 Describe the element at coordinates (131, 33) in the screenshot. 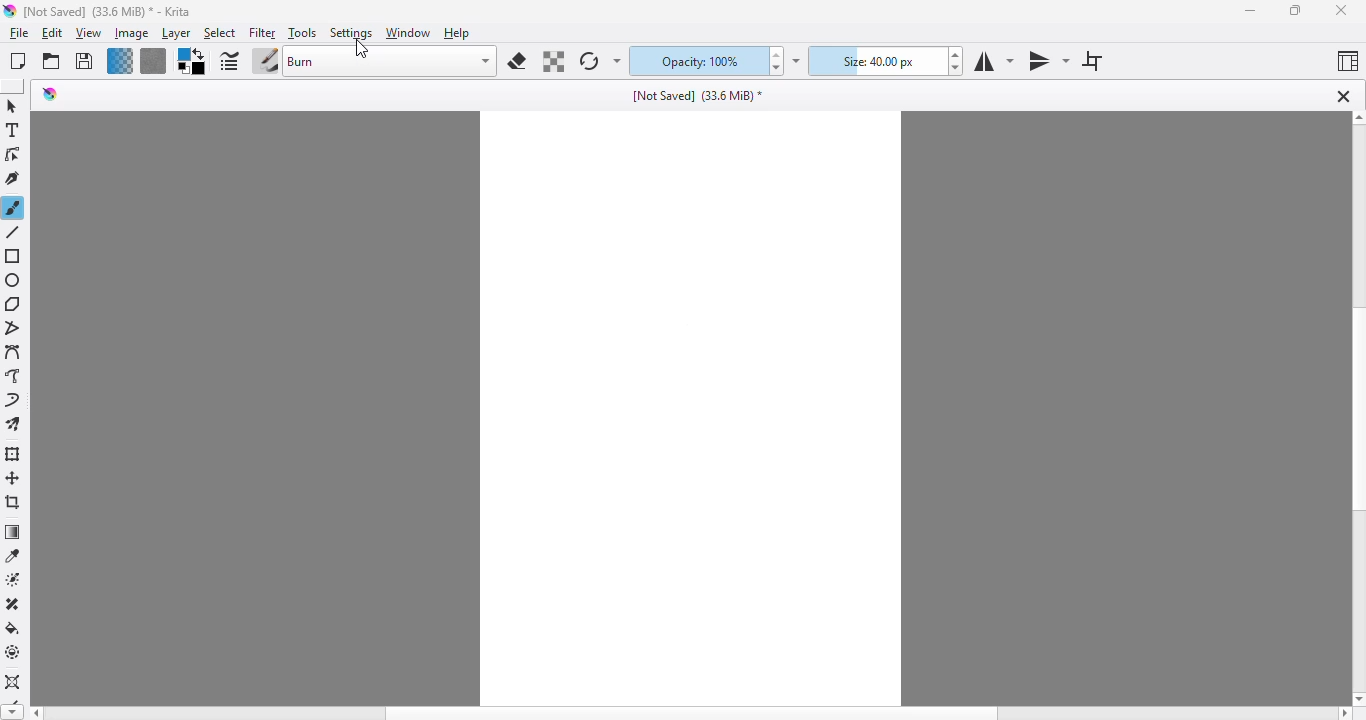

I see `image` at that location.